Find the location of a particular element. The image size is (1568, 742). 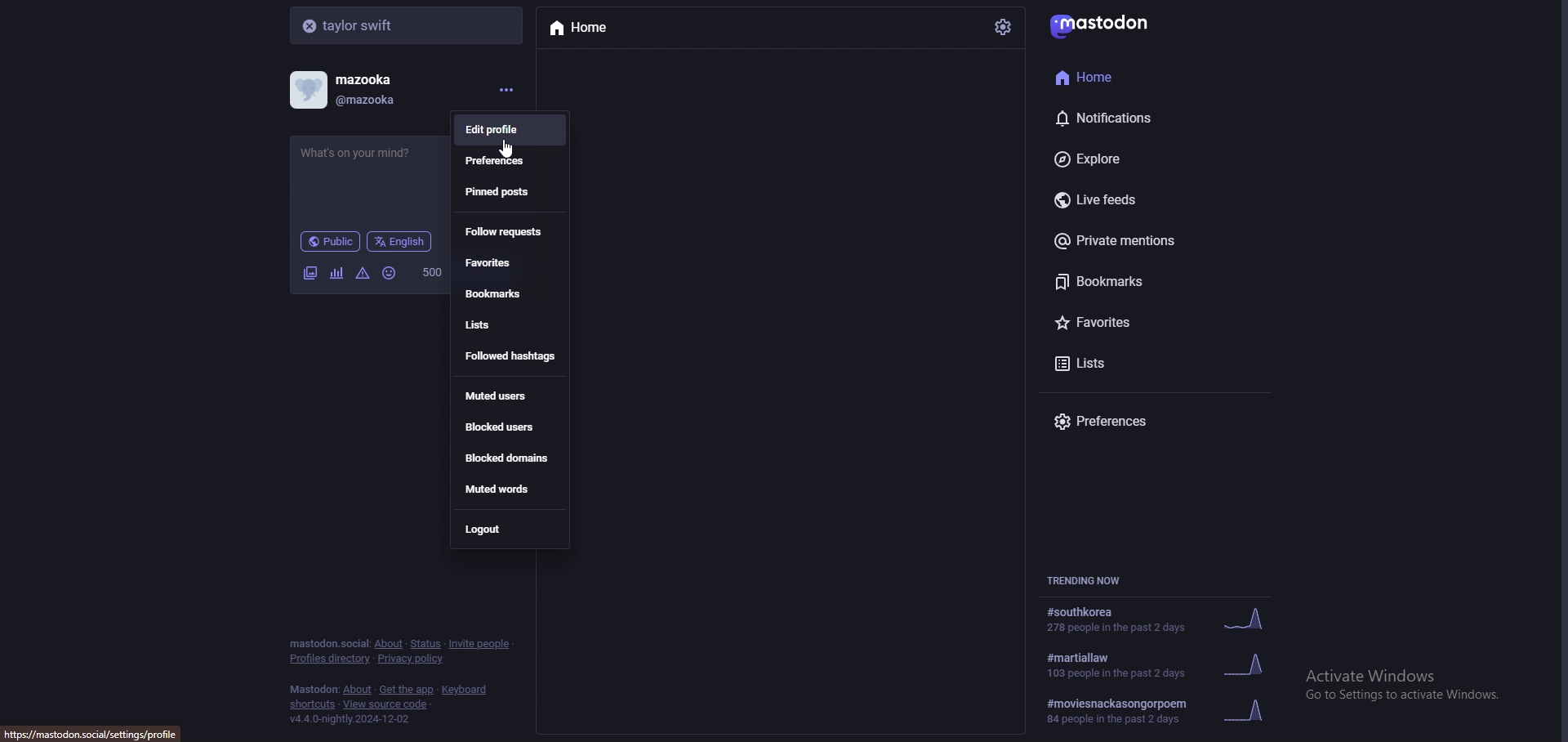

muted users is located at coordinates (511, 396).